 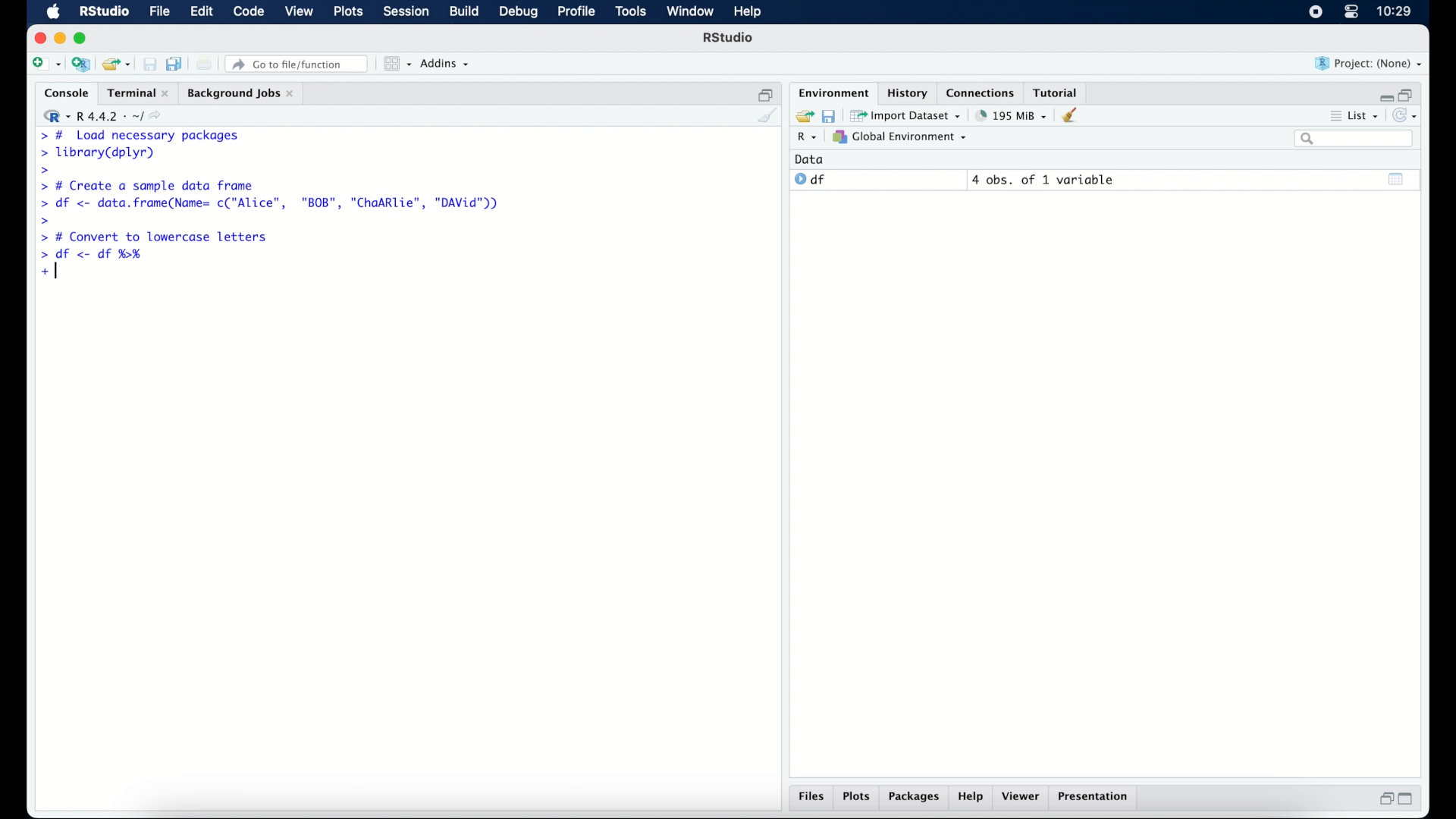 I want to click on restore down, so click(x=1384, y=800).